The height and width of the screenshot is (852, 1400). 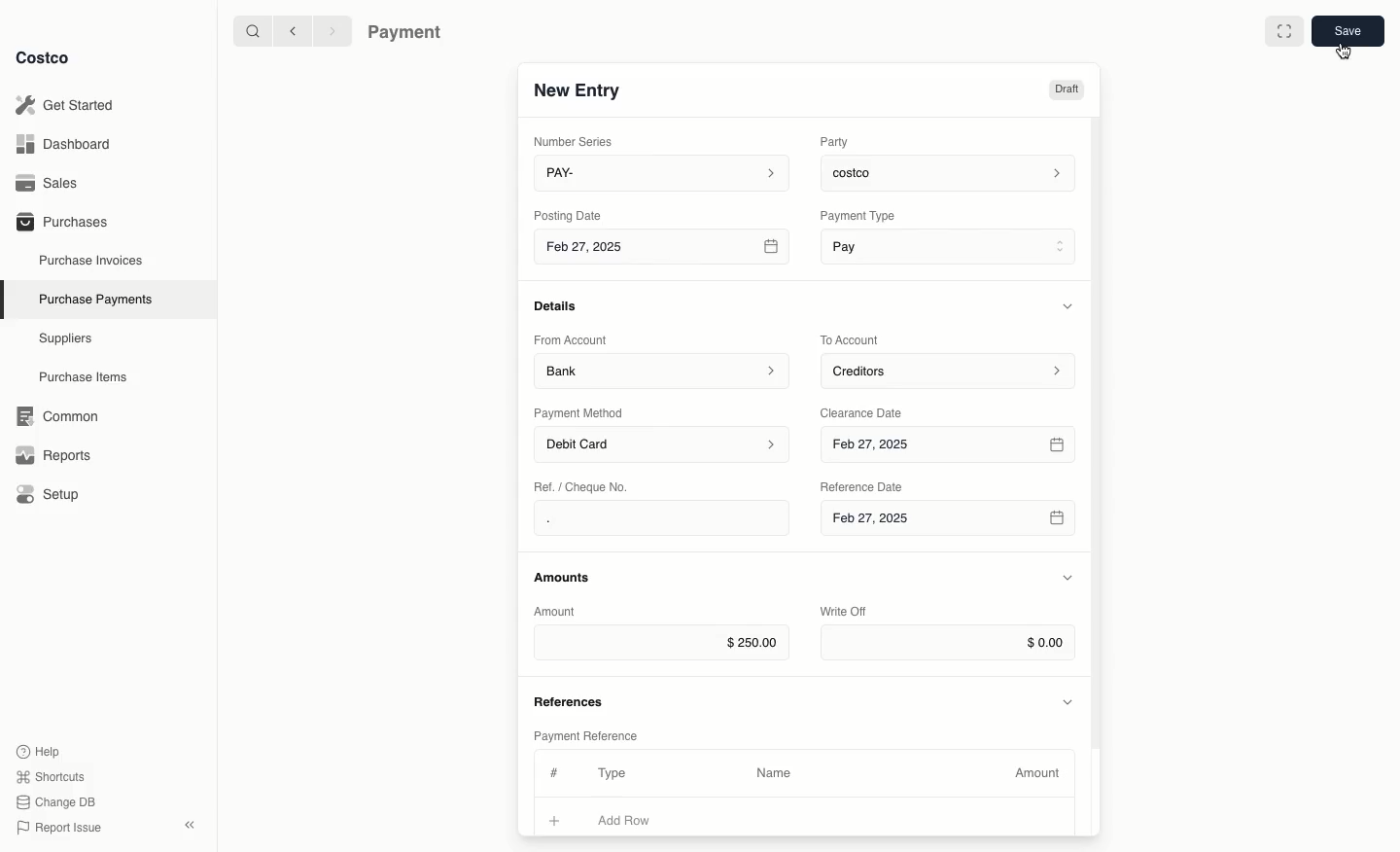 I want to click on Amount, so click(x=1040, y=773).